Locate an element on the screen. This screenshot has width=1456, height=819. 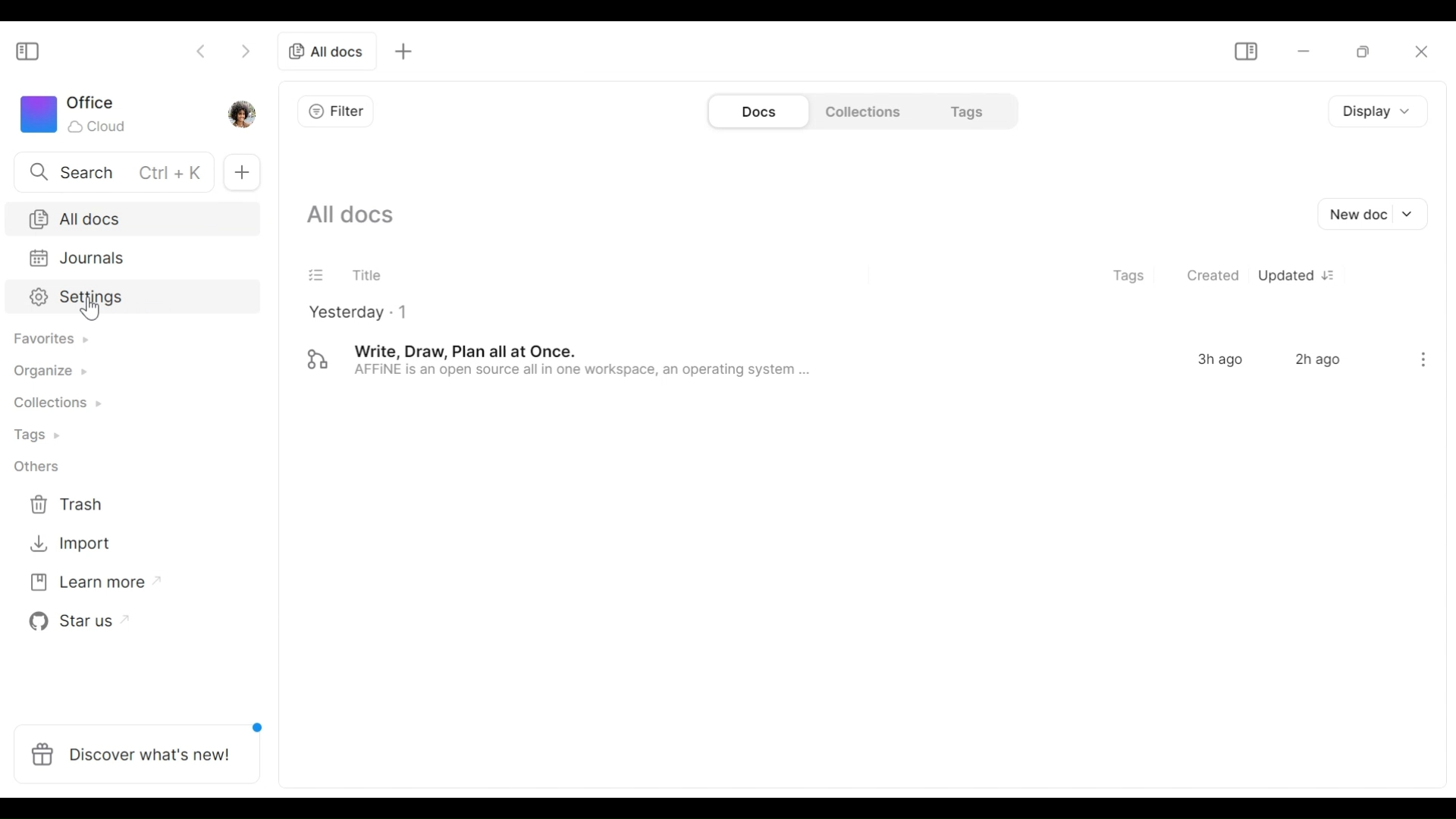
Tags is located at coordinates (1129, 275).